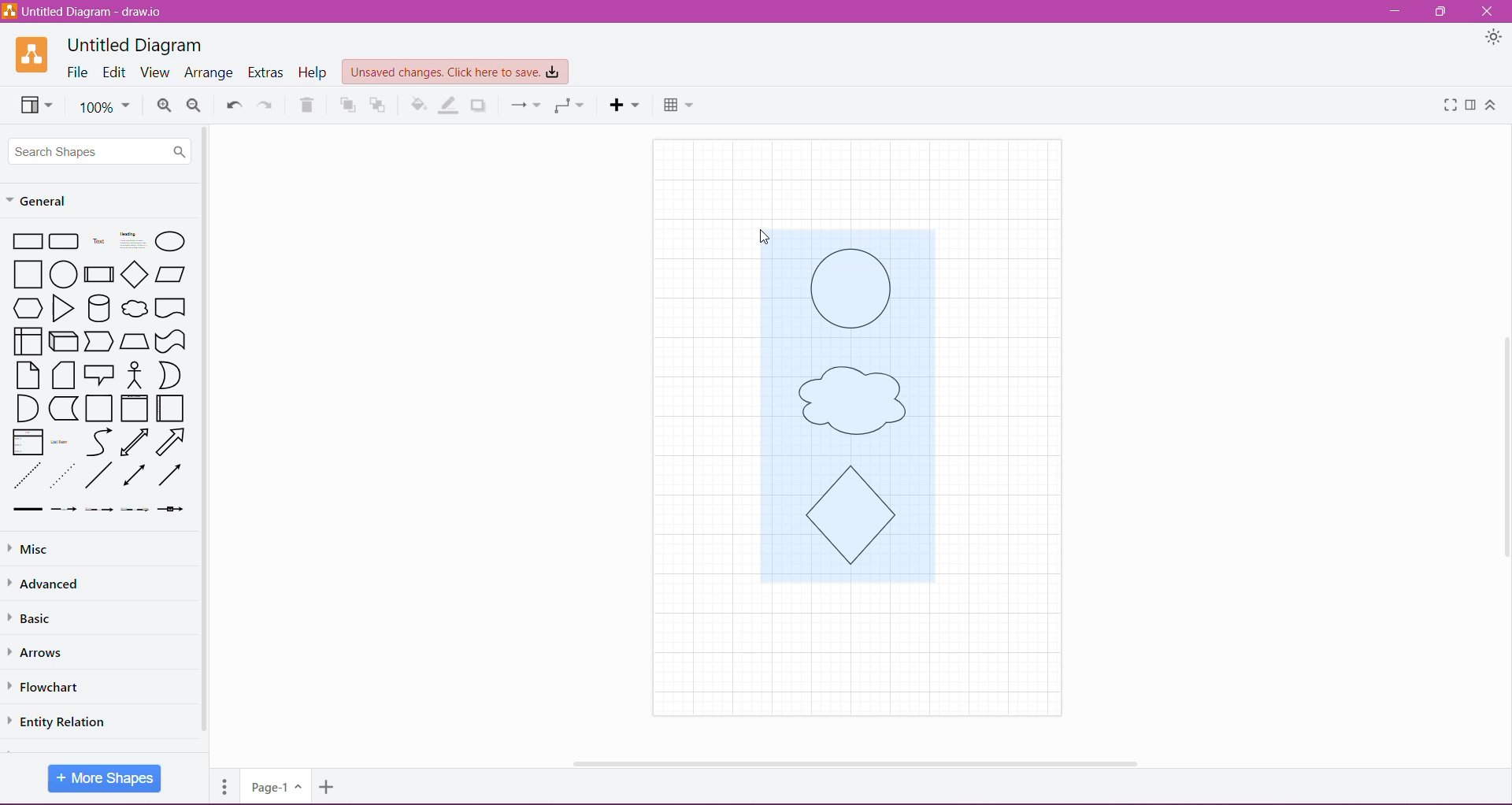 This screenshot has width=1512, height=805. I want to click on Horizontal Scroll Bar, so click(850, 759).